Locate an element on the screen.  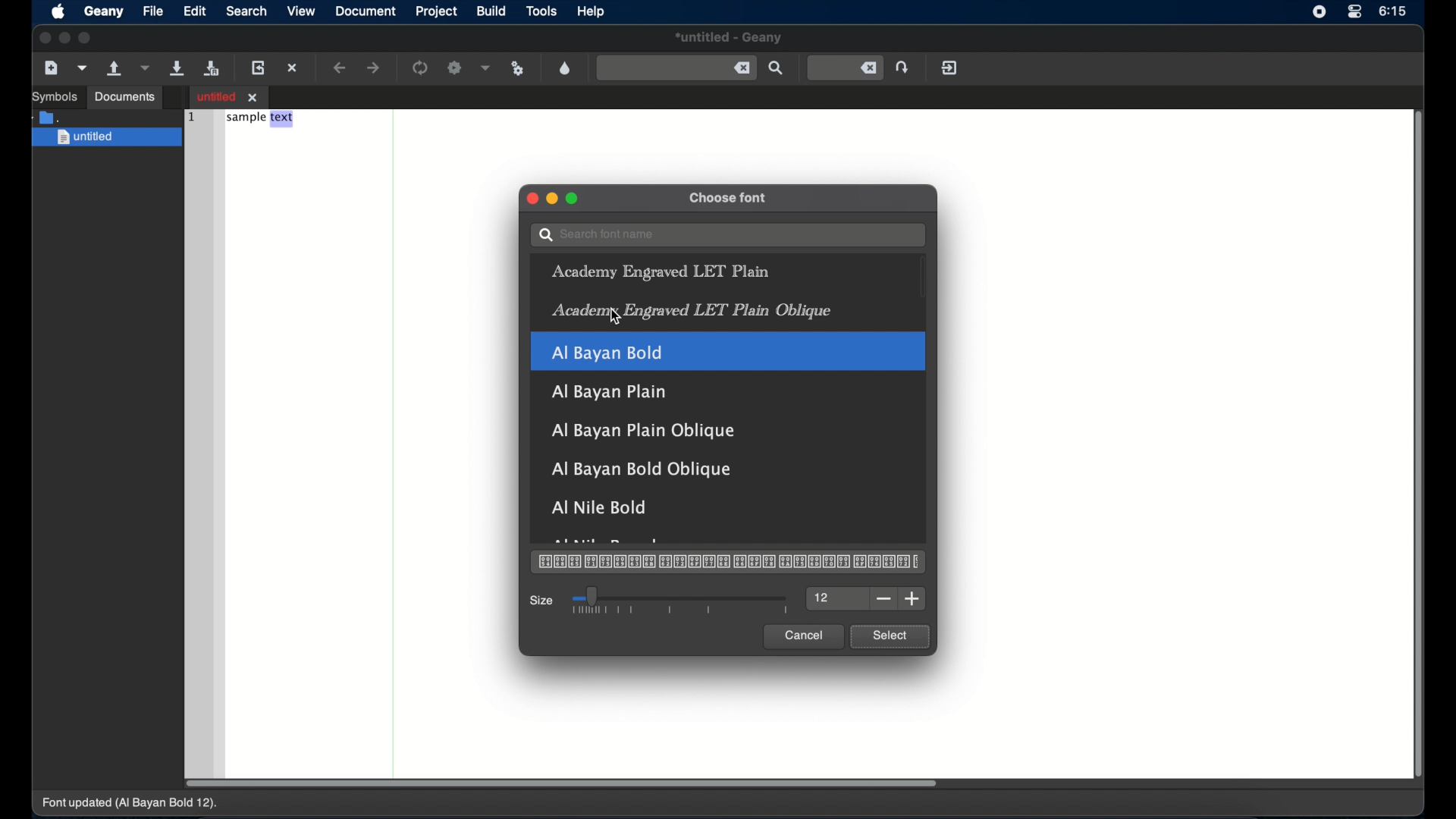
1 is located at coordinates (190, 115).